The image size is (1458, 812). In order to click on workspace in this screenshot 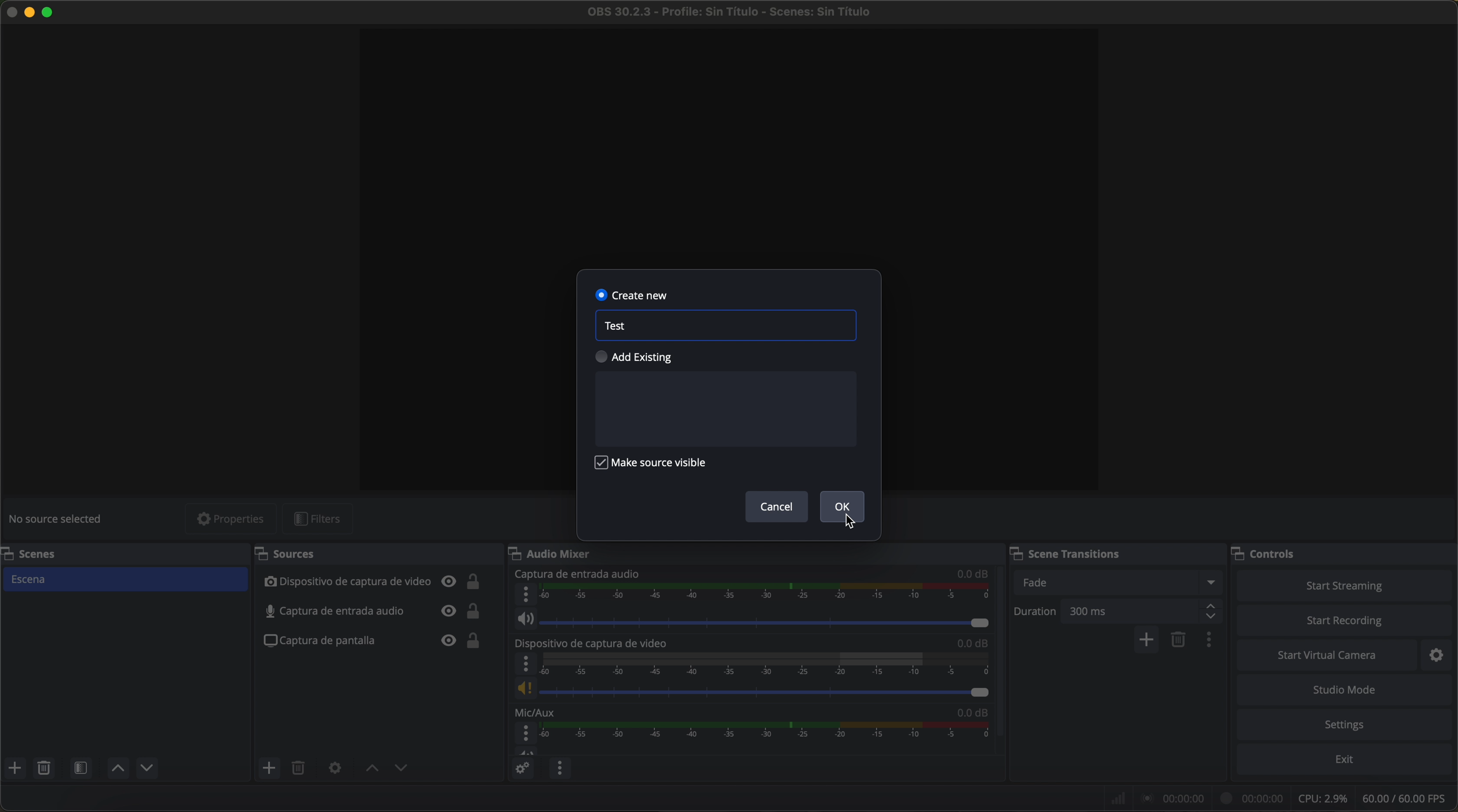, I will do `click(728, 145)`.